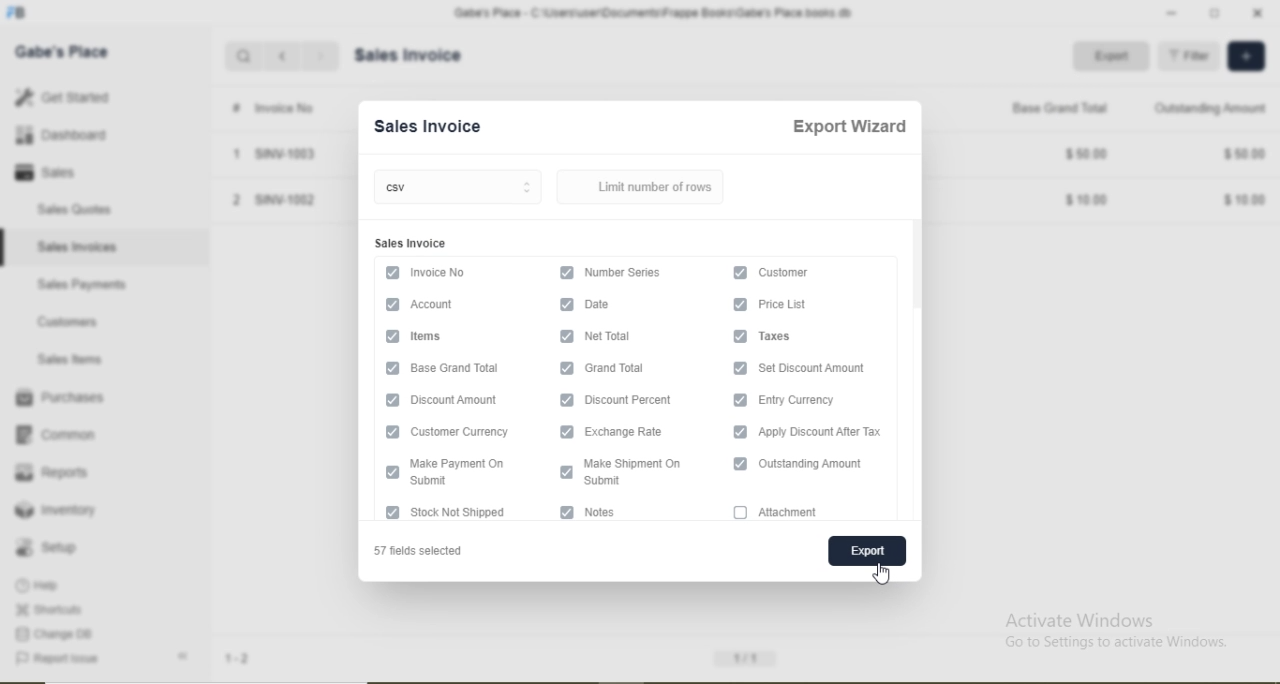 This screenshot has width=1280, height=684. I want to click on checkbox, so click(392, 337).